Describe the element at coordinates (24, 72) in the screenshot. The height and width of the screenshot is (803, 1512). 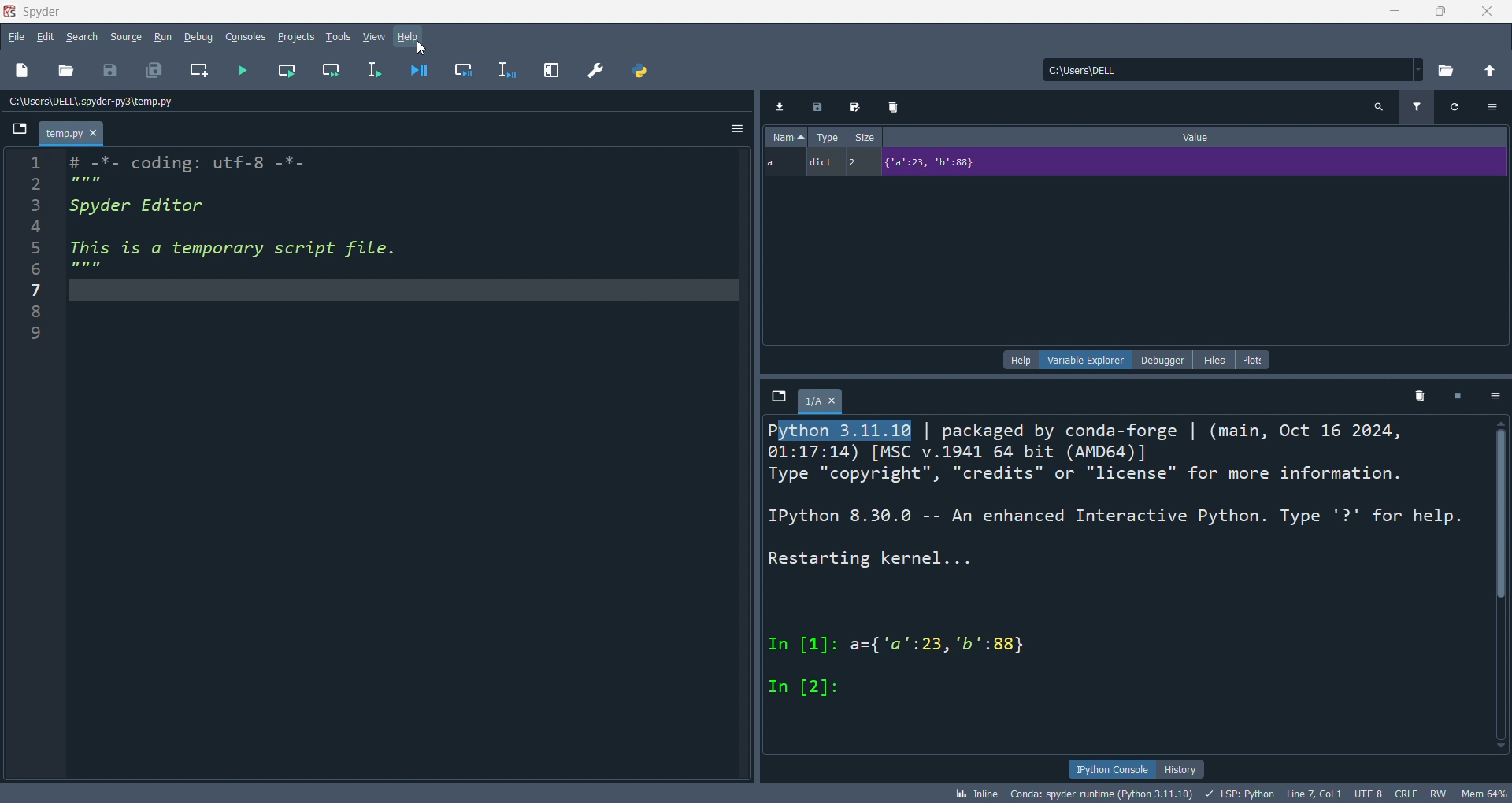
I see `new file` at that location.